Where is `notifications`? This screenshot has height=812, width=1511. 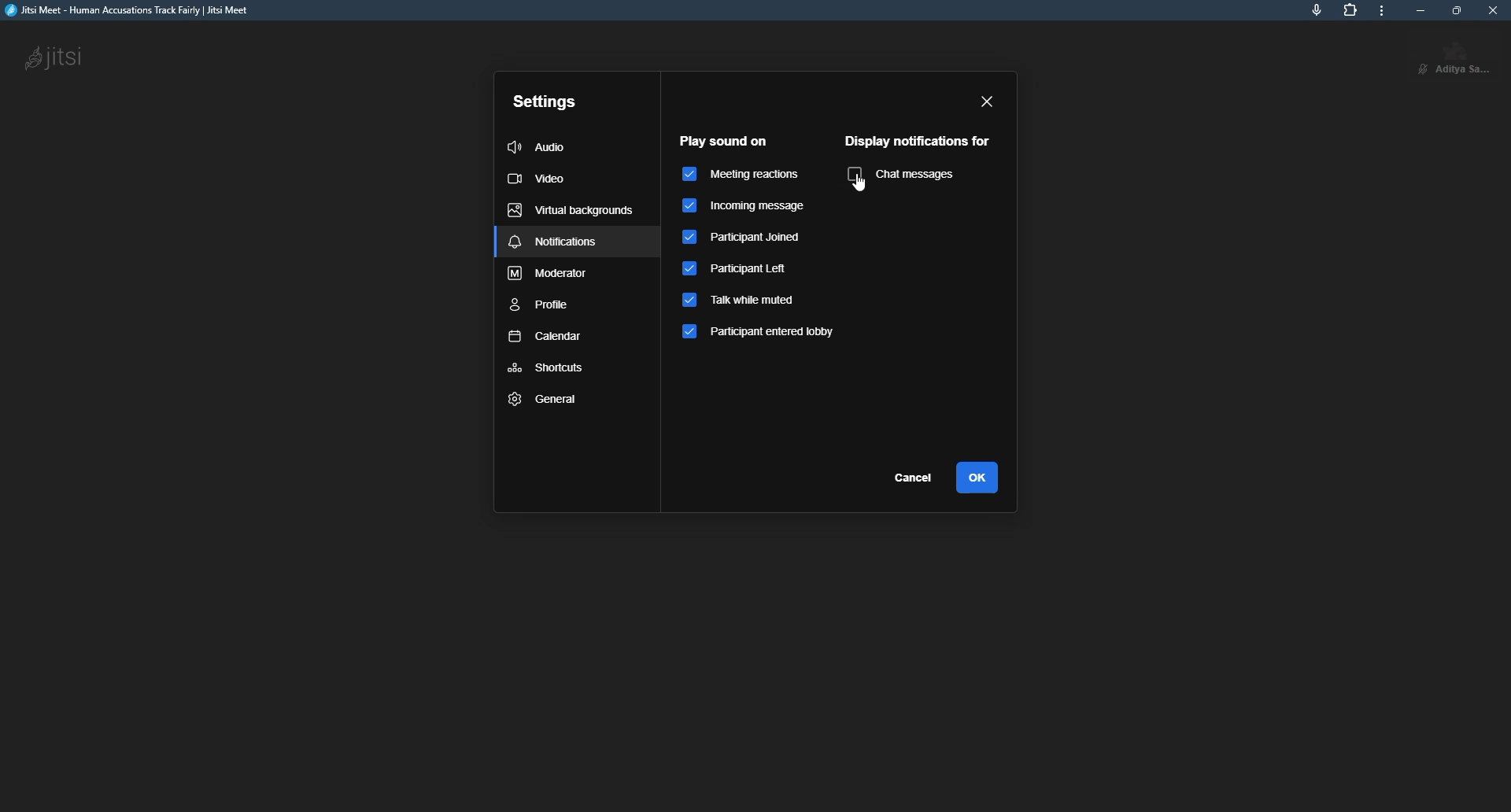
notifications is located at coordinates (555, 243).